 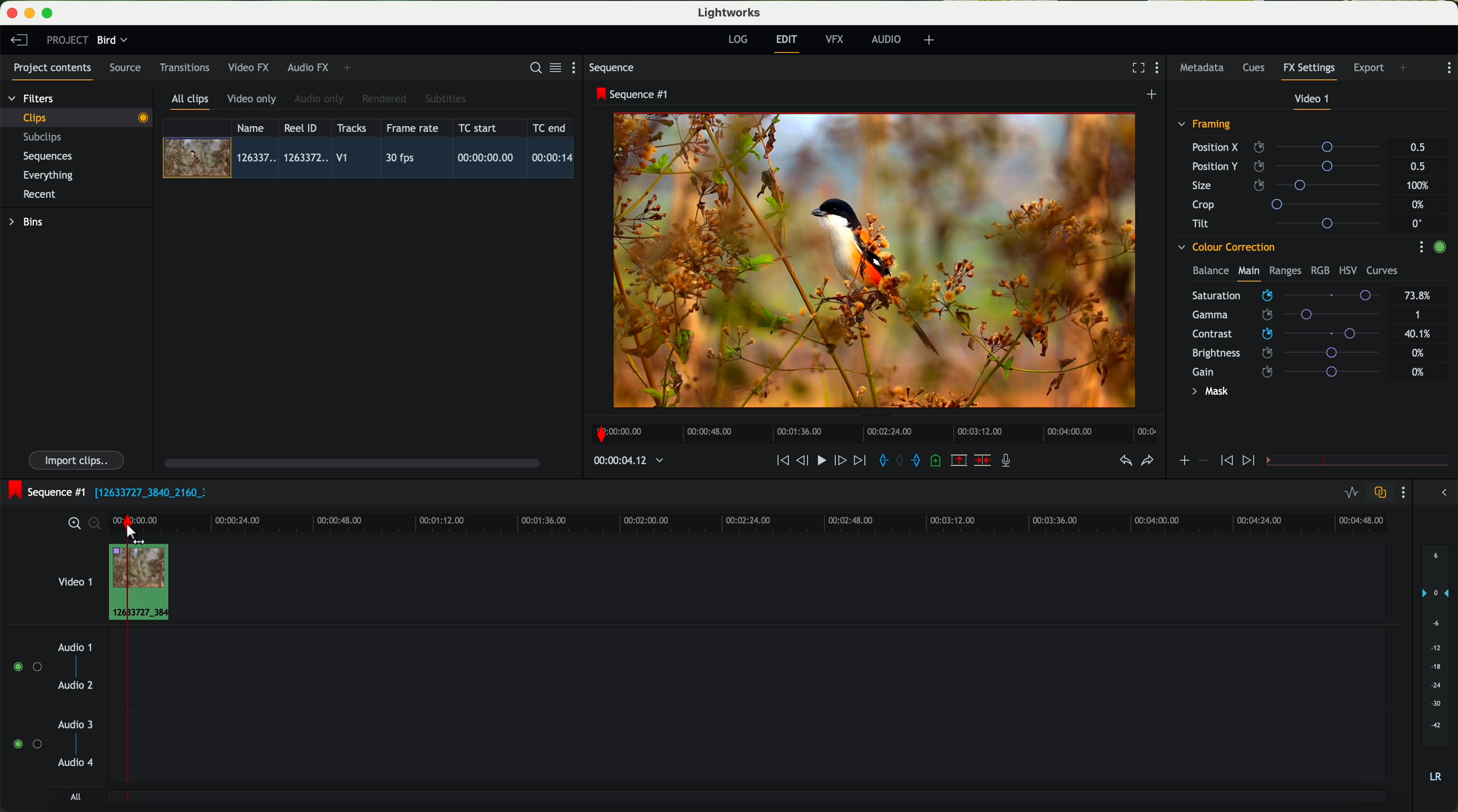 I want to click on timeline, so click(x=623, y=461).